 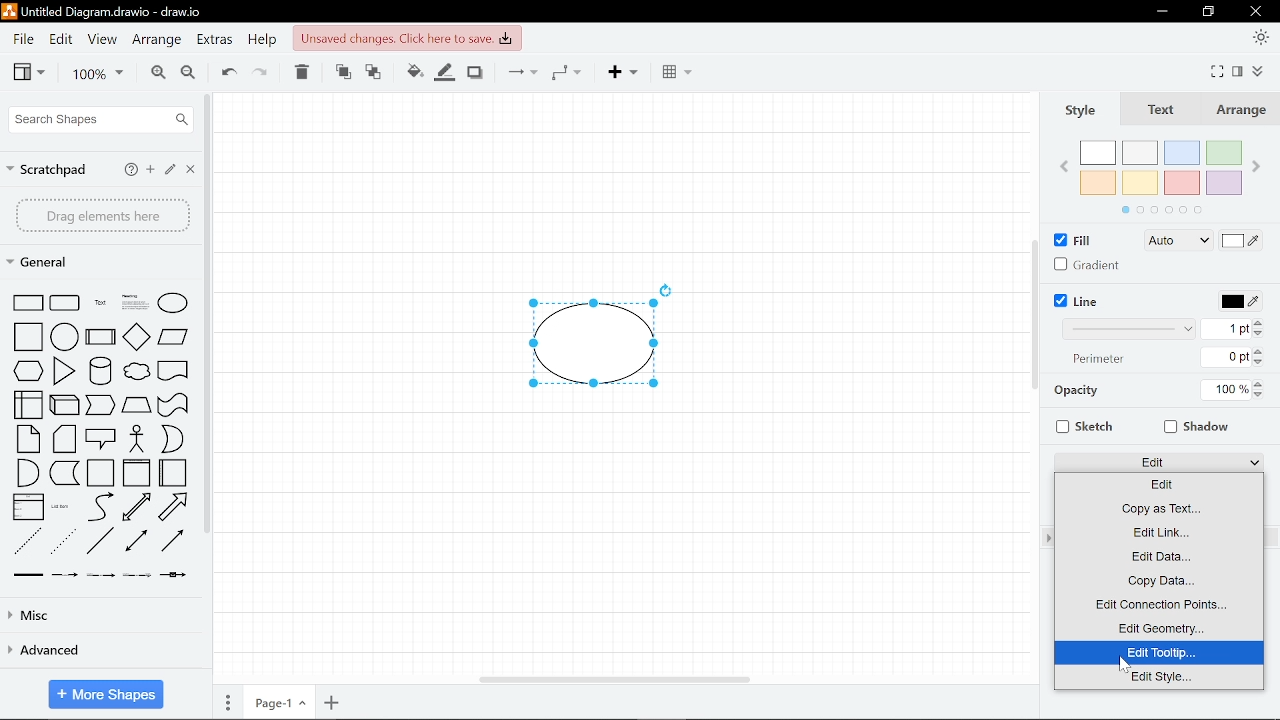 I want to click on View, so click(x=102, y=37).